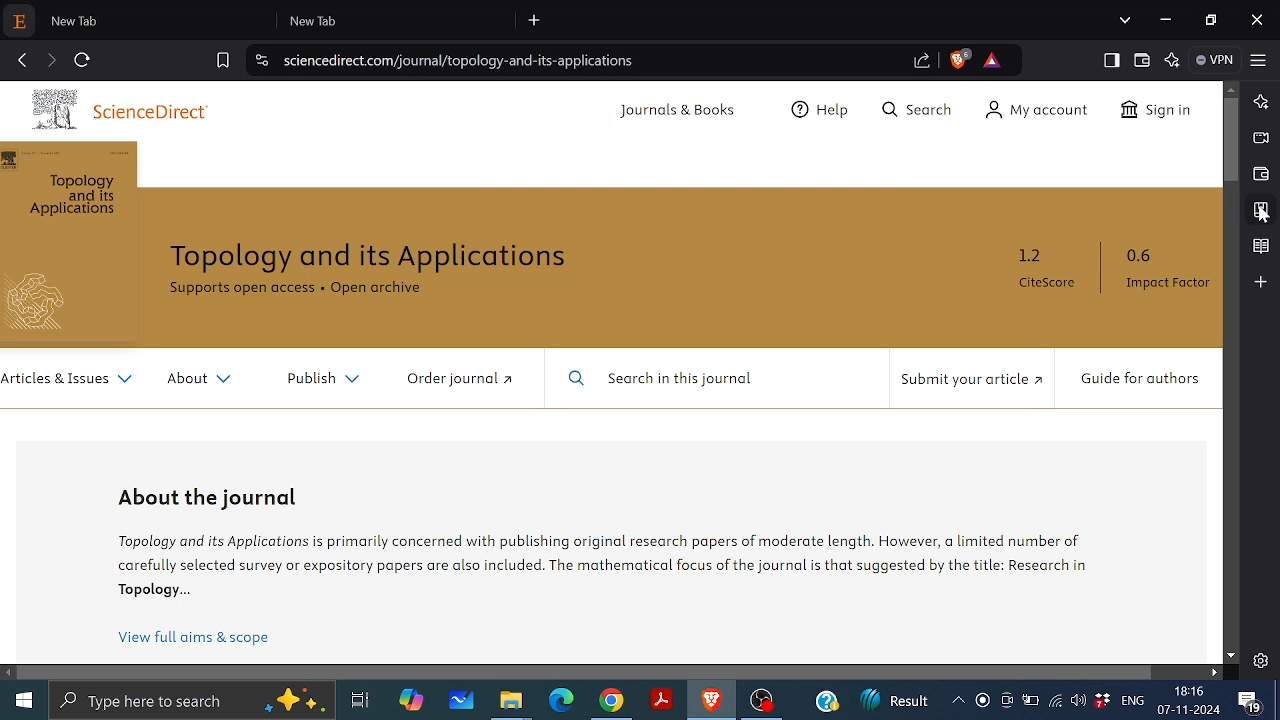  I want to click on Brave browser, so click(710, 701).